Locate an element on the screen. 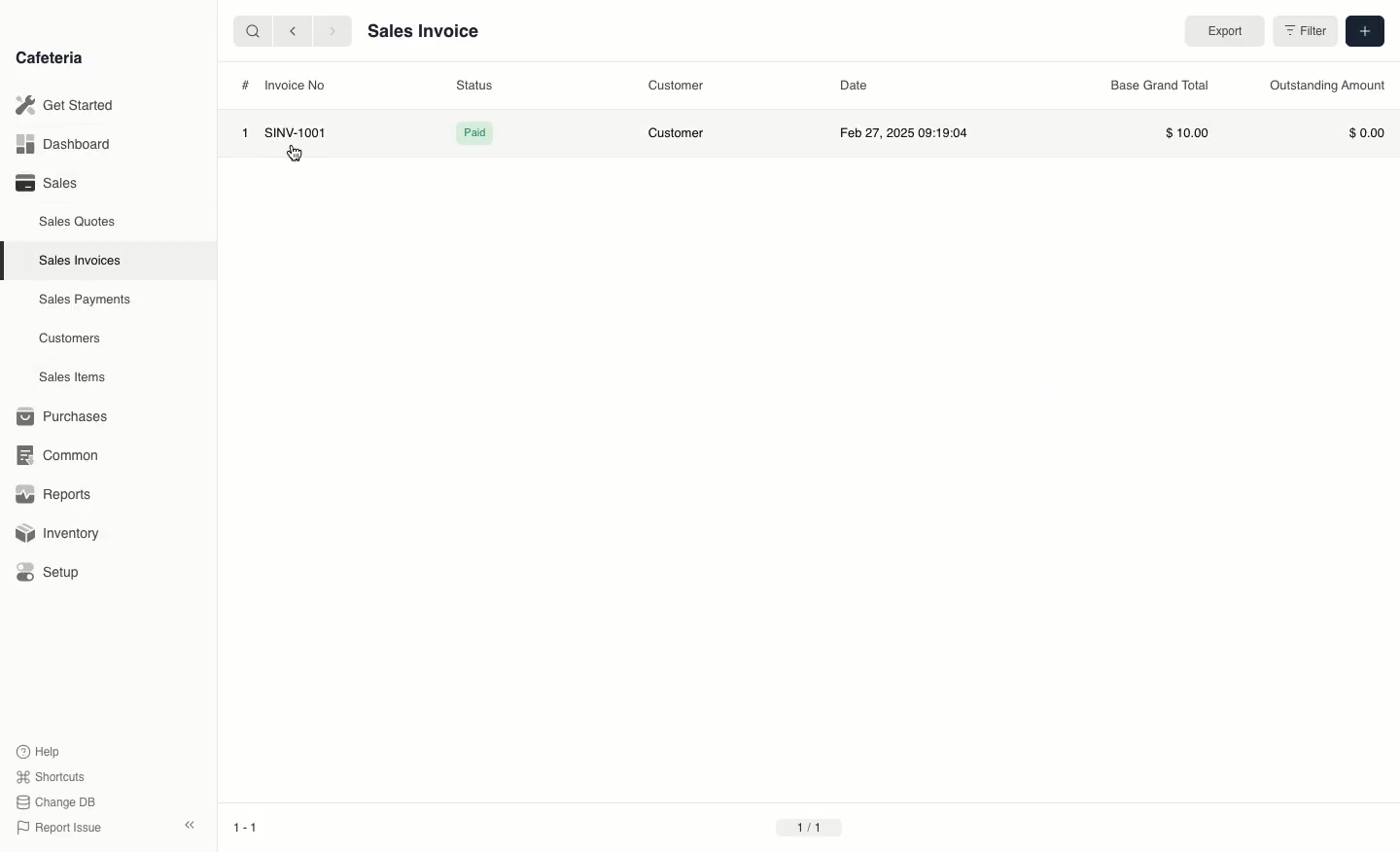  forward is located at coordinates (334, 31).